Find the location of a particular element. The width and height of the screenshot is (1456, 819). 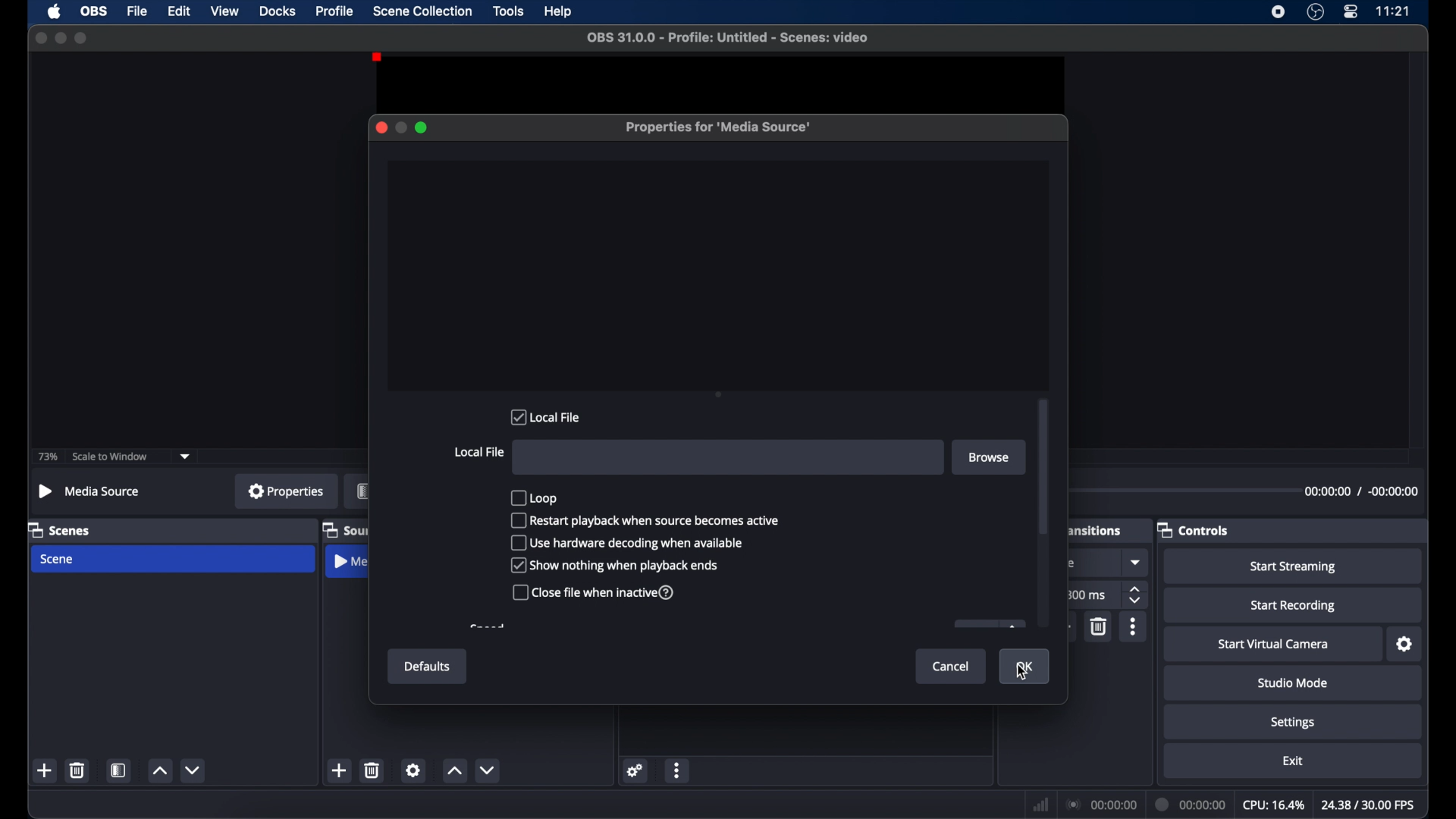

scenes is located at coordinates (60, 529).